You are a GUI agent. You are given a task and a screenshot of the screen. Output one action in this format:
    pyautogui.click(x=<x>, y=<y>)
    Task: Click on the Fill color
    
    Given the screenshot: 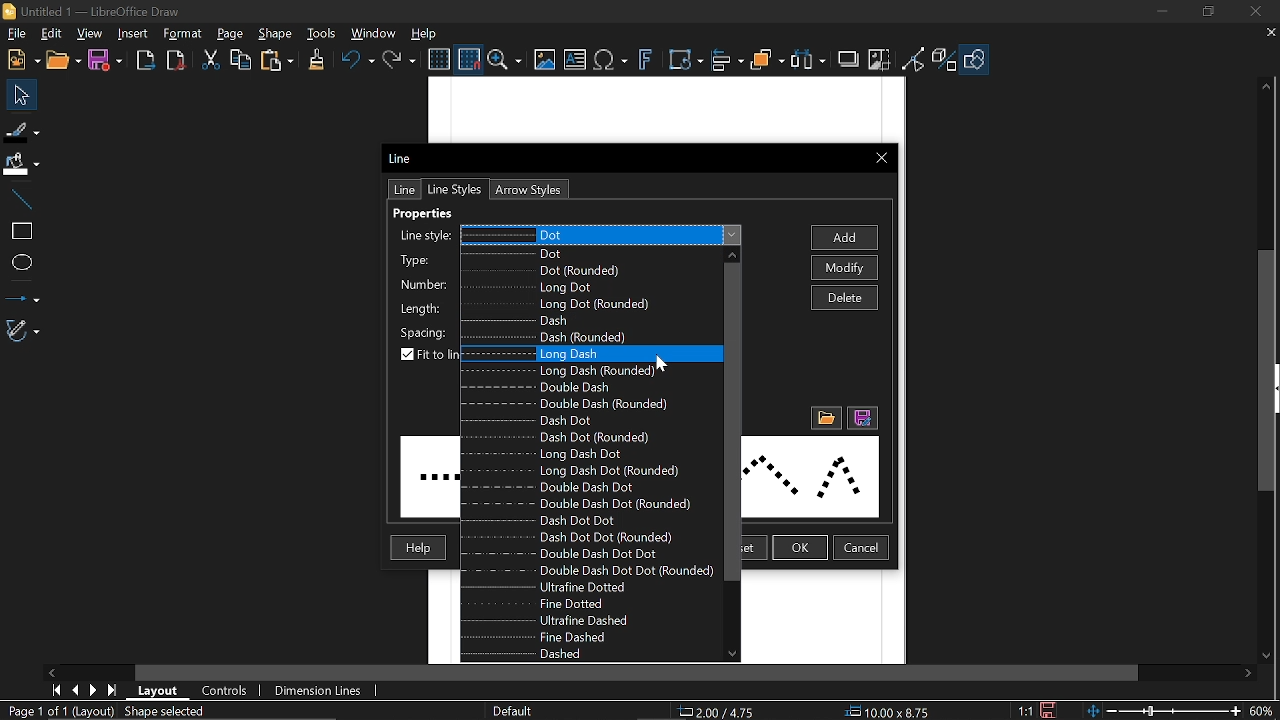 What is the action you would take?
    pyautogui.click(x=21, y=165)
    